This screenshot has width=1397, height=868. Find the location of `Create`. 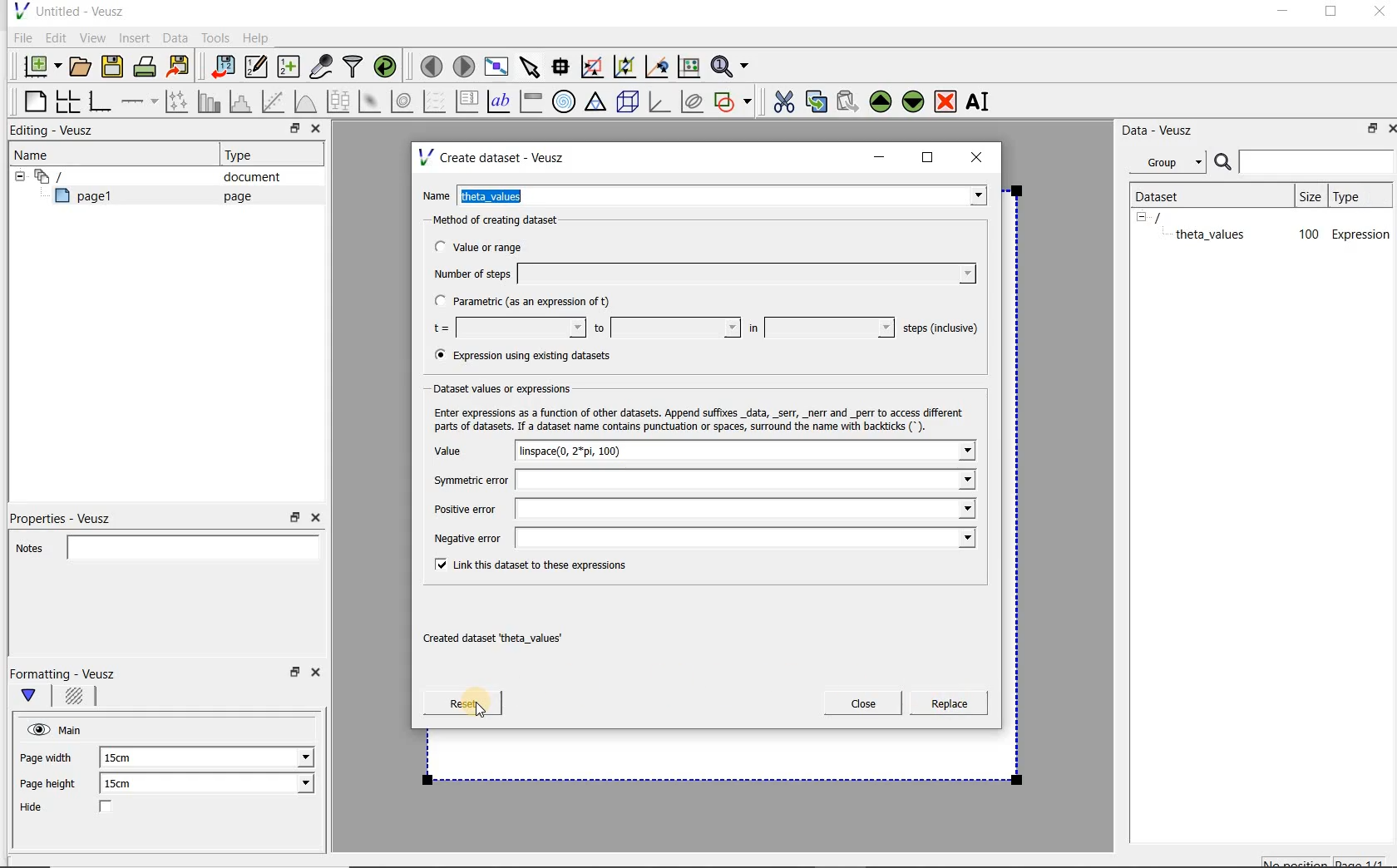

Create is located at coordinates (944, 706).